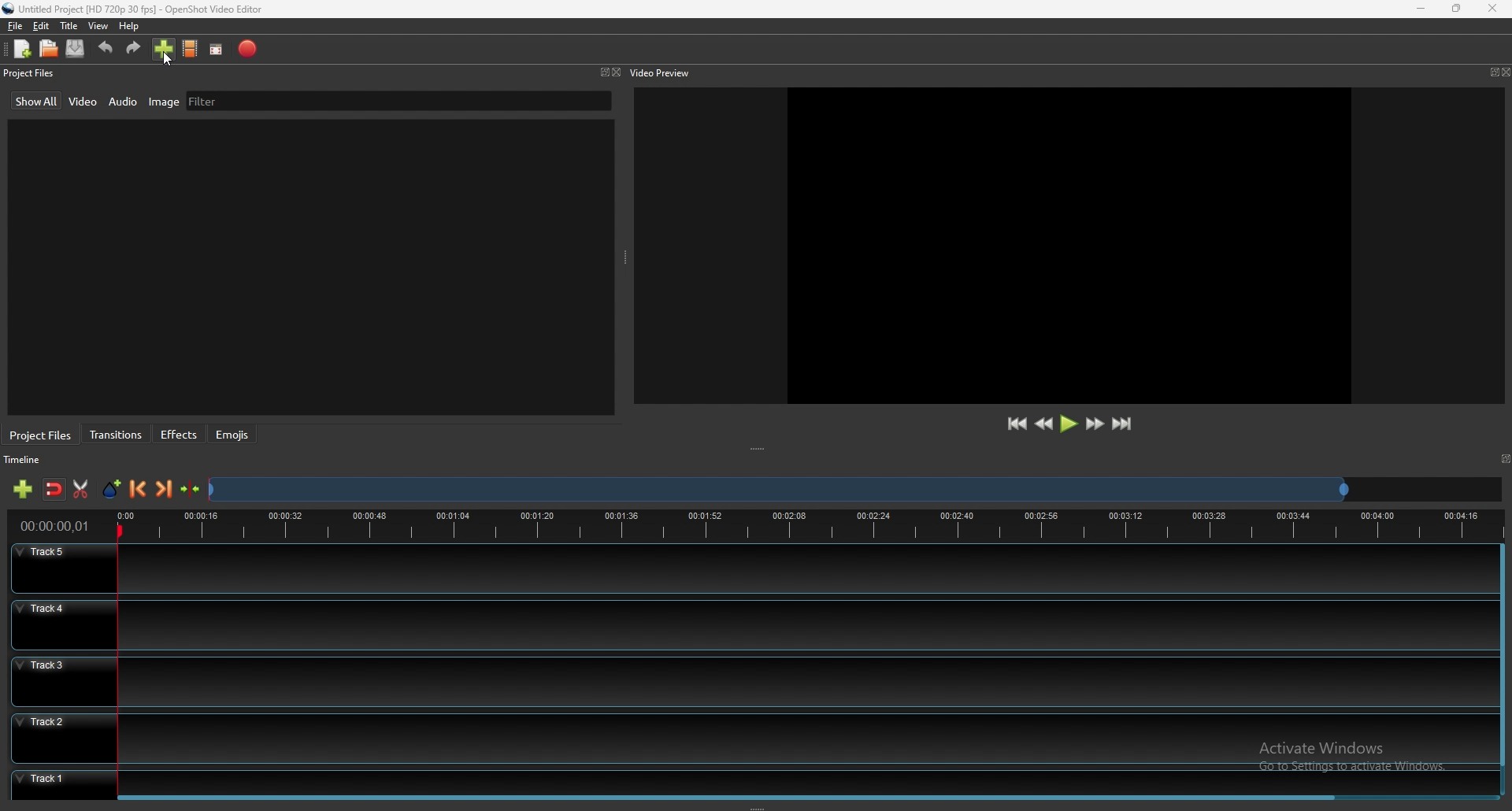 Image resolution: width=1512 pixels, height=811 pixels. I want to click on title, so click(69, 26).